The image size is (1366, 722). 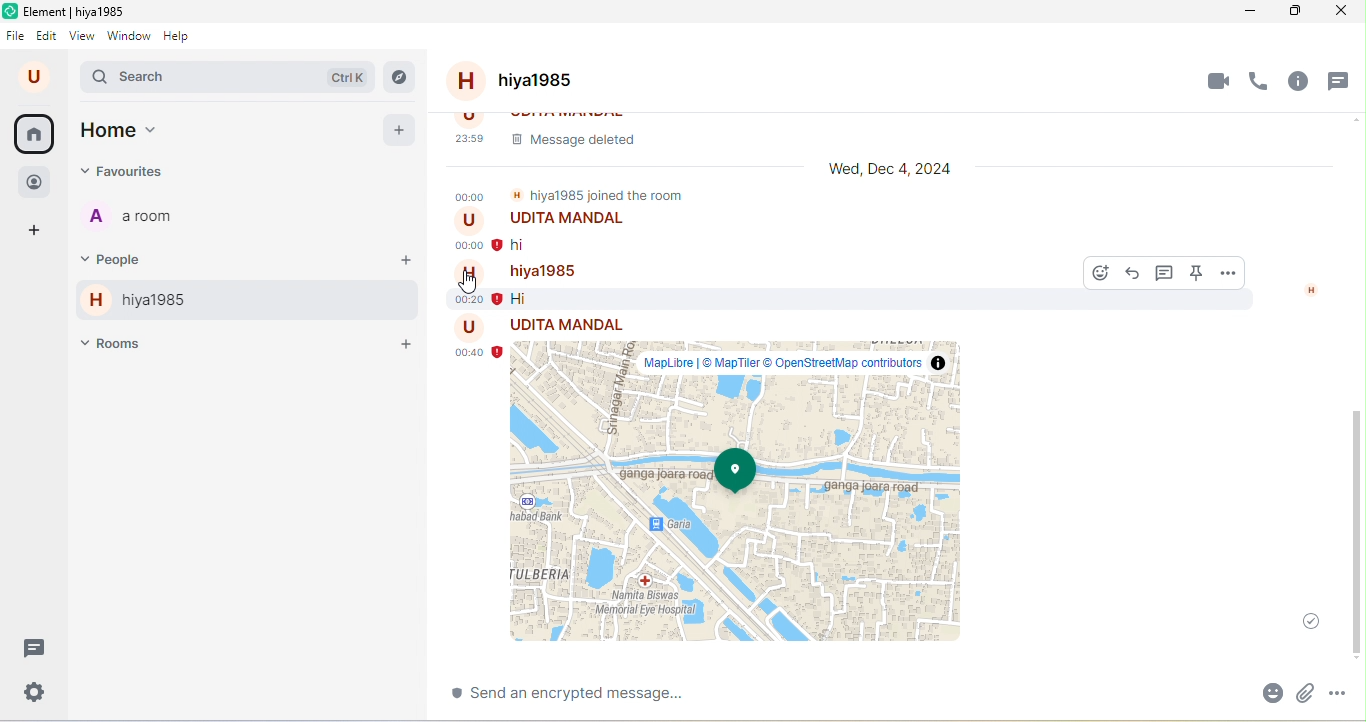 What do you see at coordinates (130, 37) in the screenshot?
I see `window` at bounding box center [130, 37].